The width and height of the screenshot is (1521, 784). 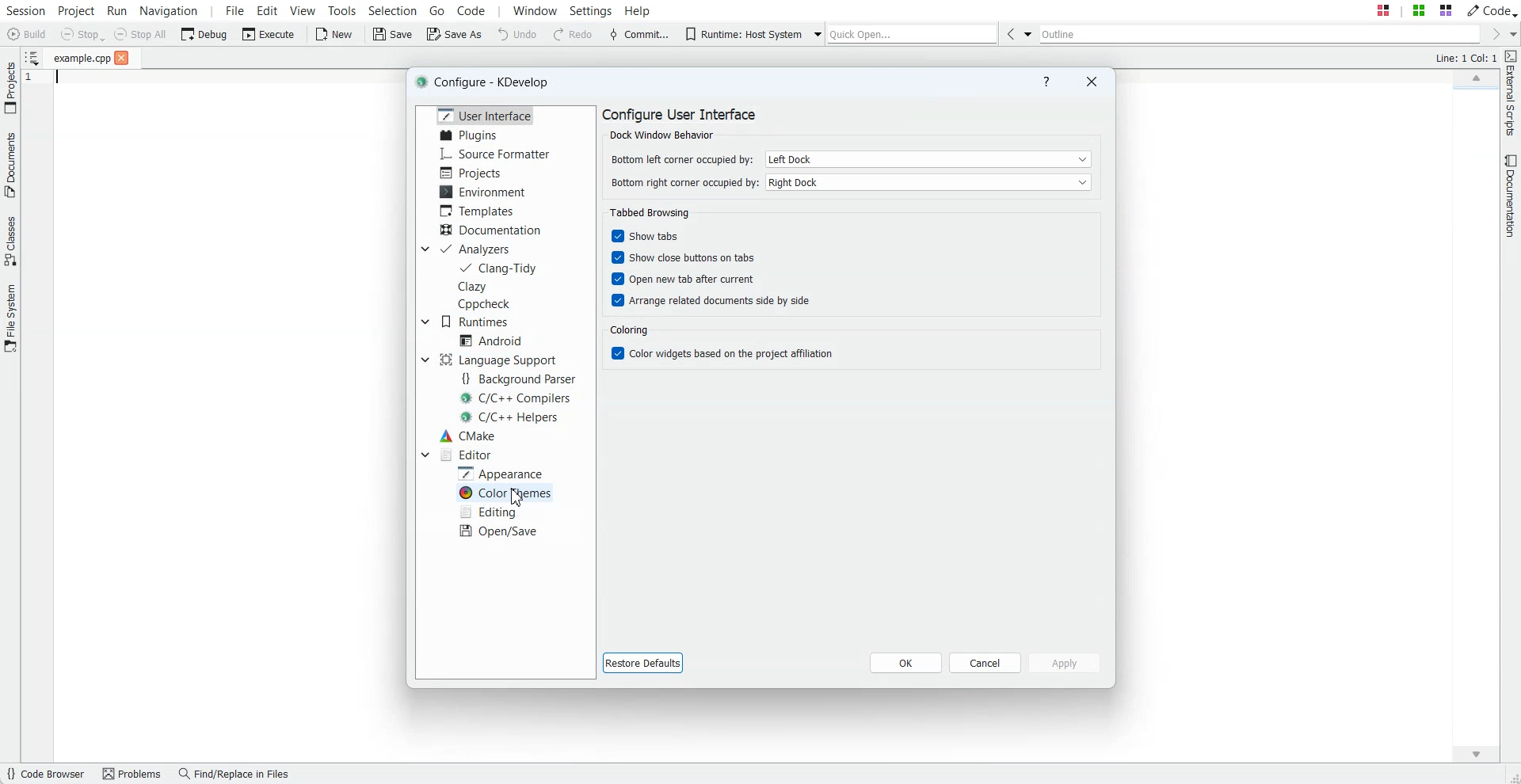 What do you see at coordinates (650, 214) in the screenshot?
I see `Text` at bounding box center [650, 214].